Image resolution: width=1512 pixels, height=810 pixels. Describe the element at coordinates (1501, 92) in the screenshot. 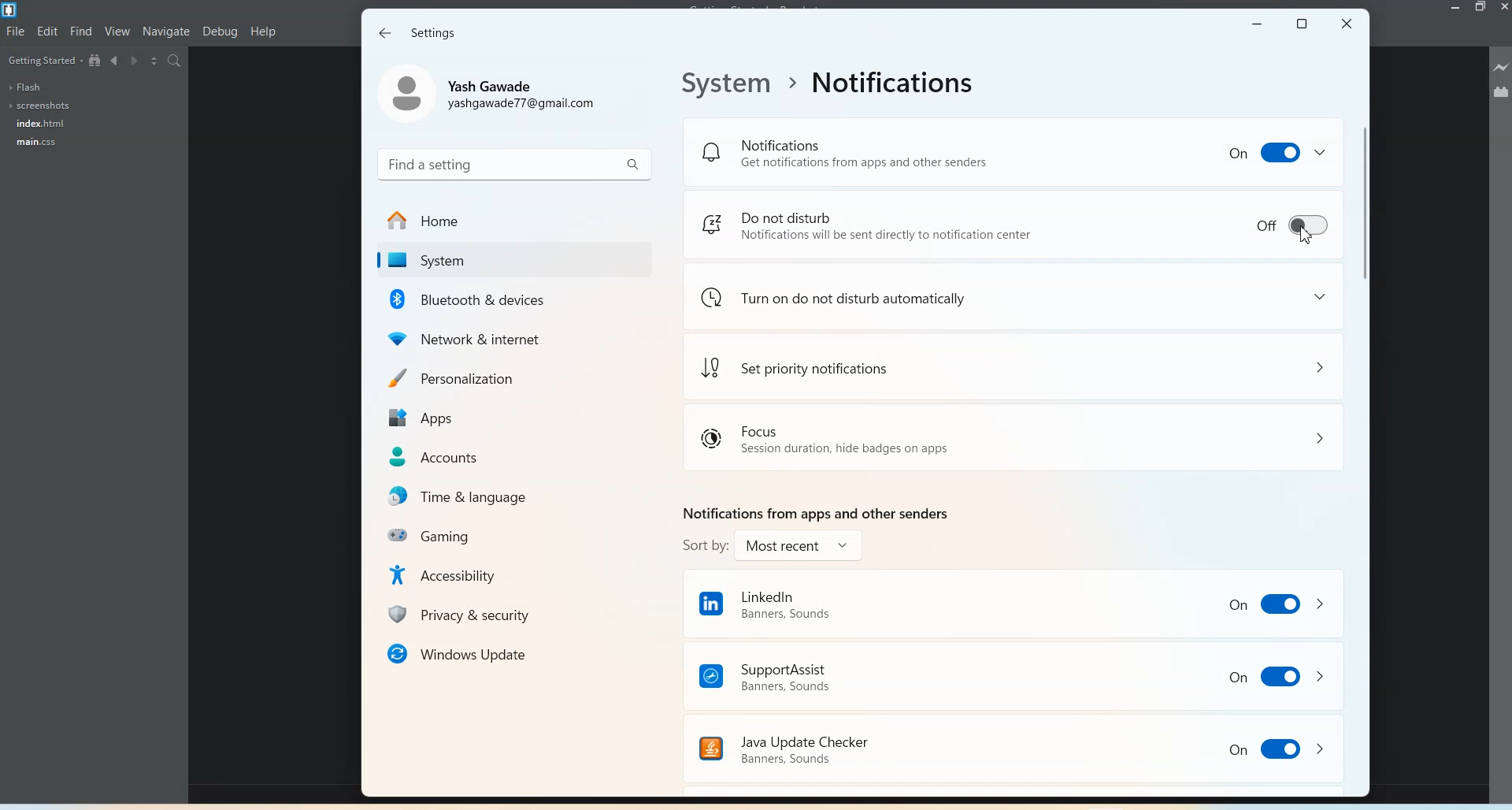

I see `Extension Manager` at that location.